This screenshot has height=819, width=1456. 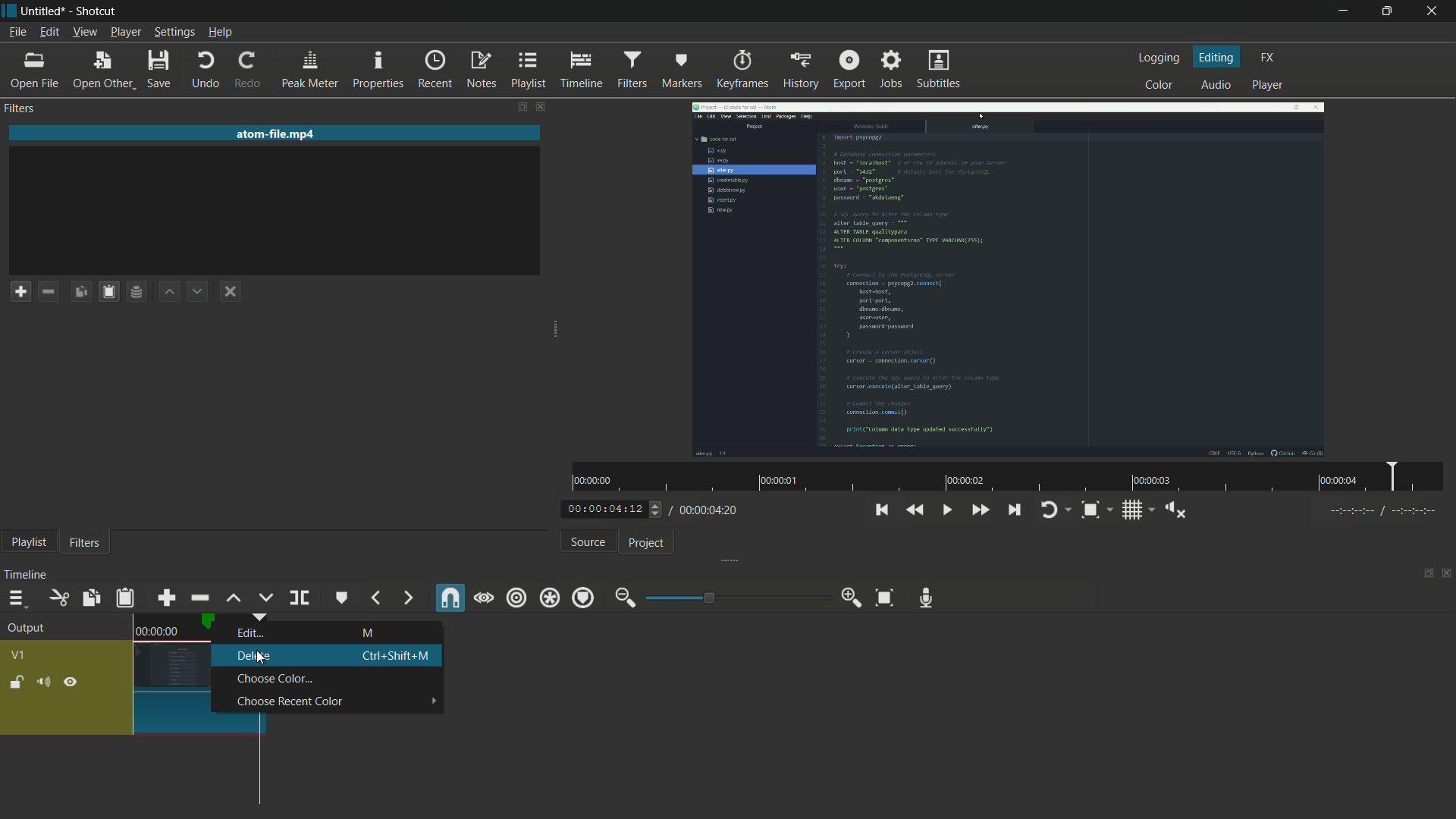 What do you see at coordinates (21, 292) in the screenshot?
I see `add a filter` at bounding box center [21, 292].